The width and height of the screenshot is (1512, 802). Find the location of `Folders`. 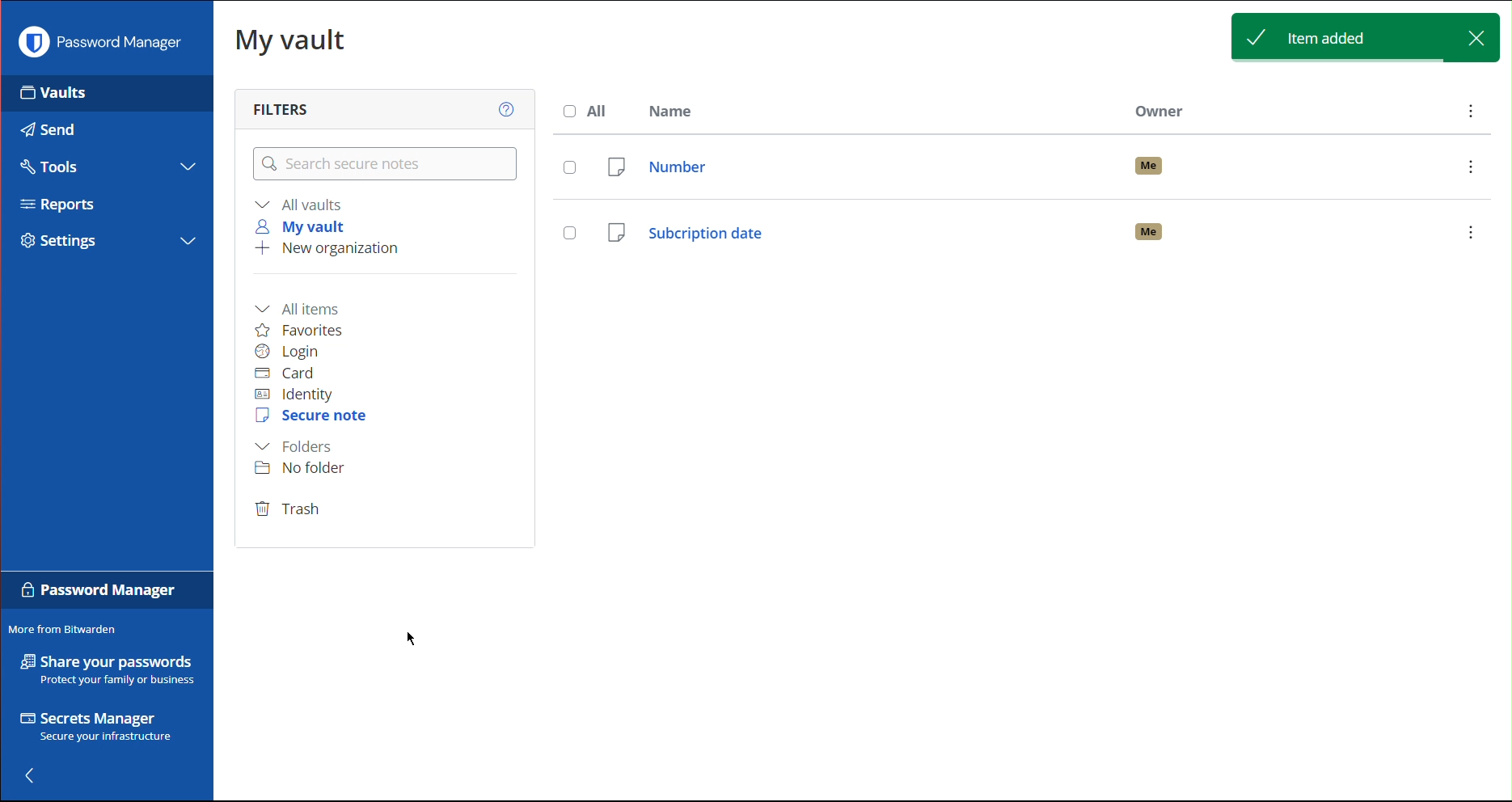

Folders is located at coordinates (294, 447).